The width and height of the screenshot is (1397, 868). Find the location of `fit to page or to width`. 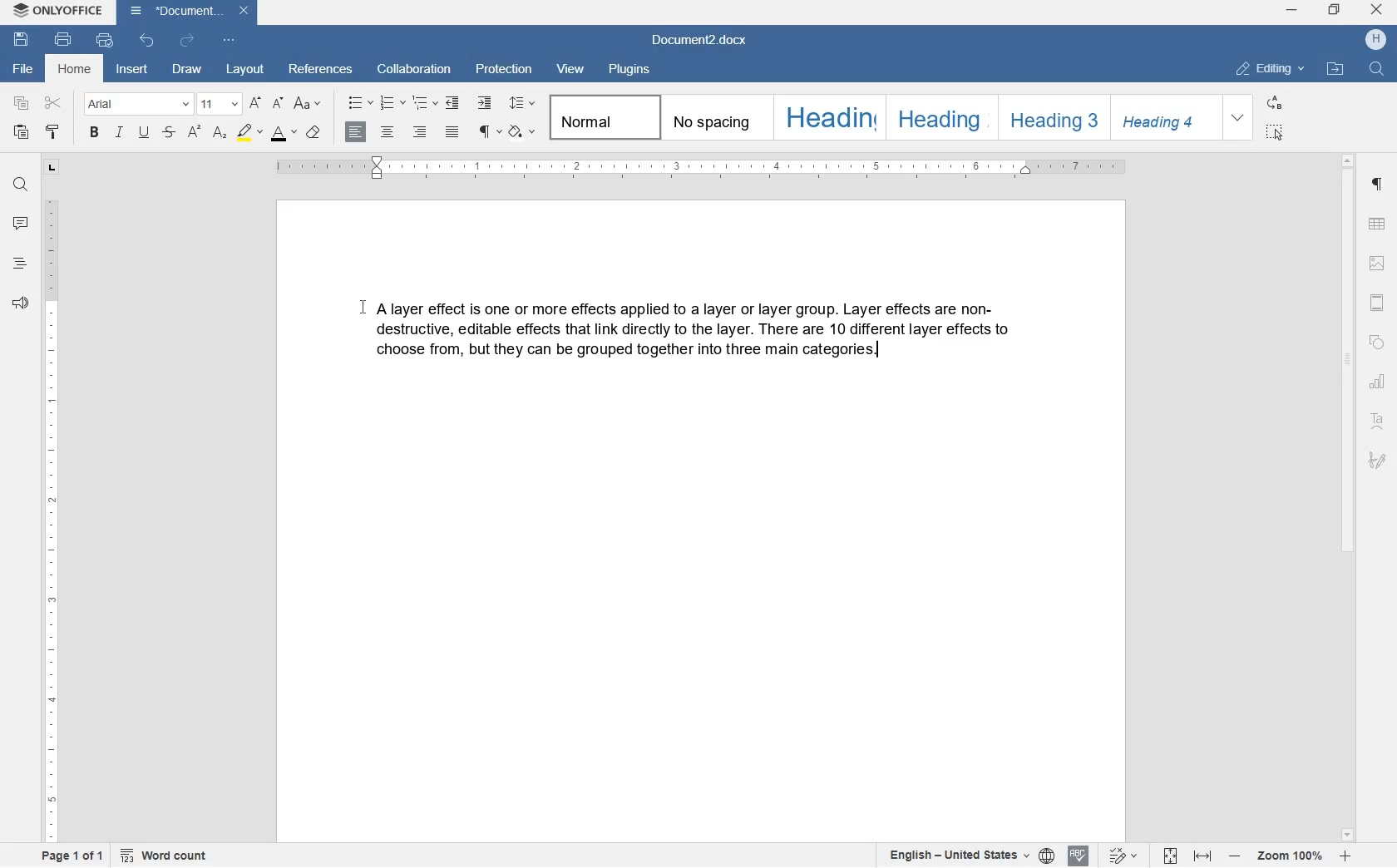

fit to page or to width is located at coordinates (1187, 856).